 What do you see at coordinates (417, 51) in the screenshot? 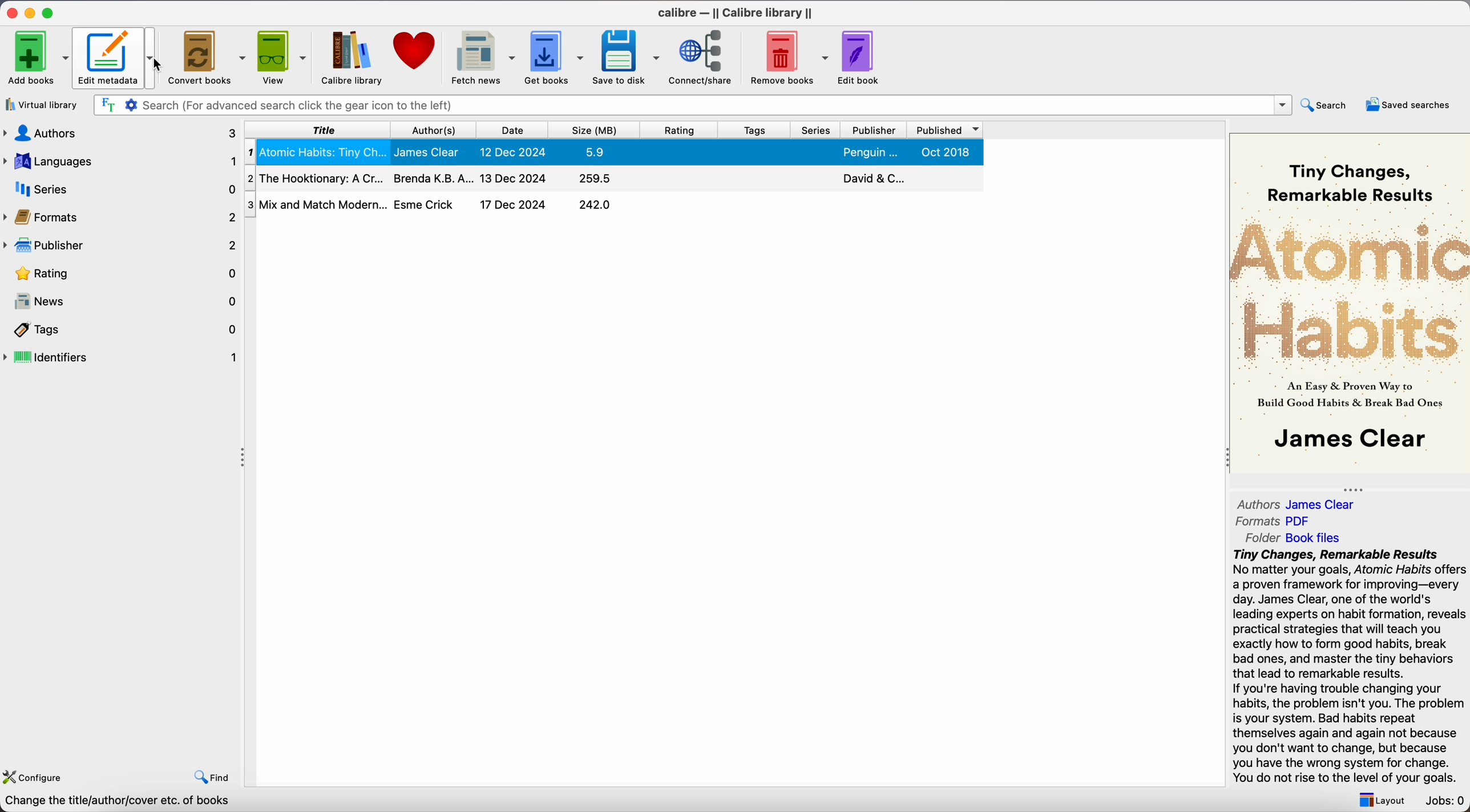
I see `donate` at bounding box center [417, 51].